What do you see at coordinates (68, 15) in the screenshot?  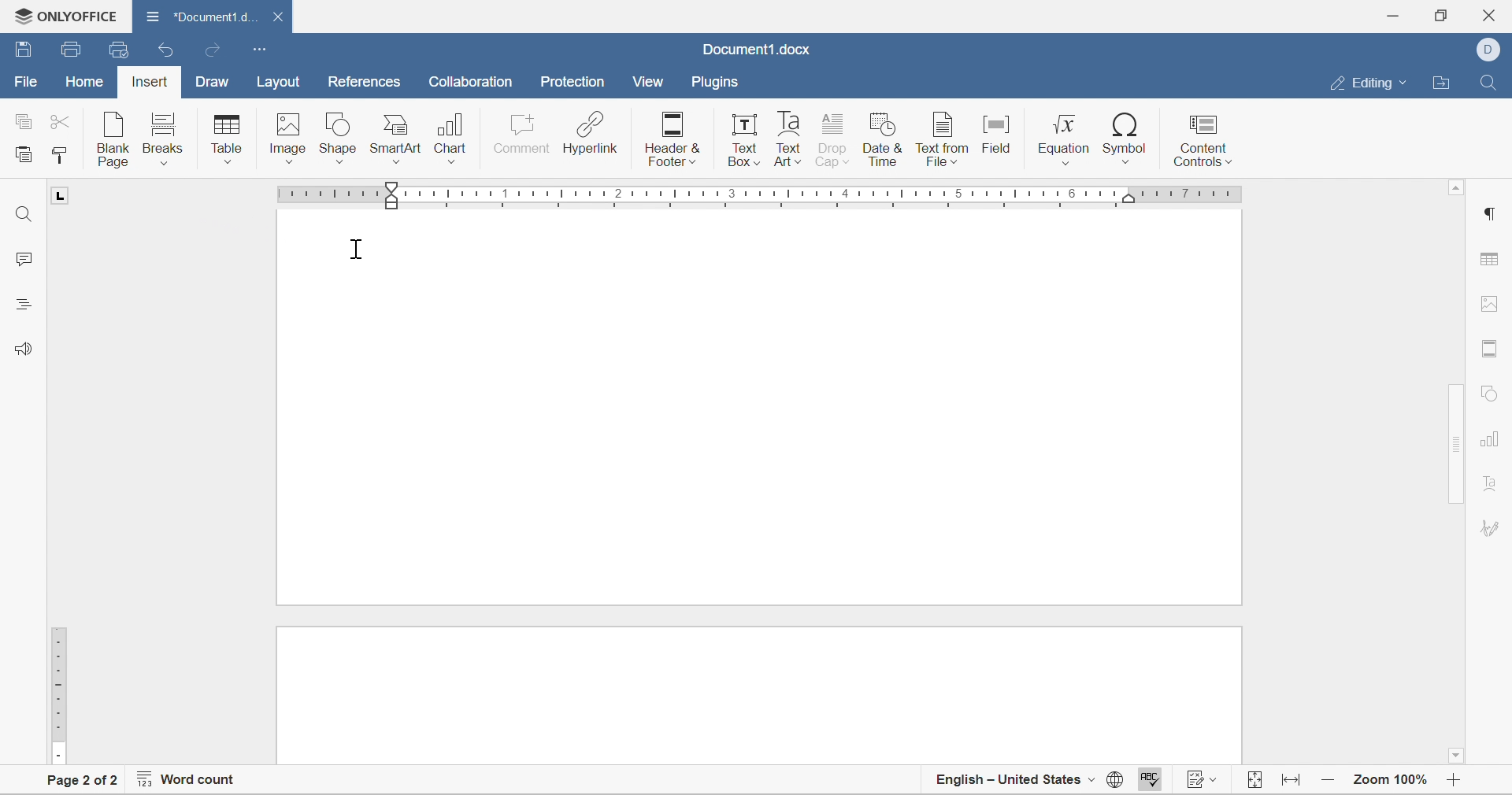 I see `Onlyoffice` at bounding box center [68, 15].